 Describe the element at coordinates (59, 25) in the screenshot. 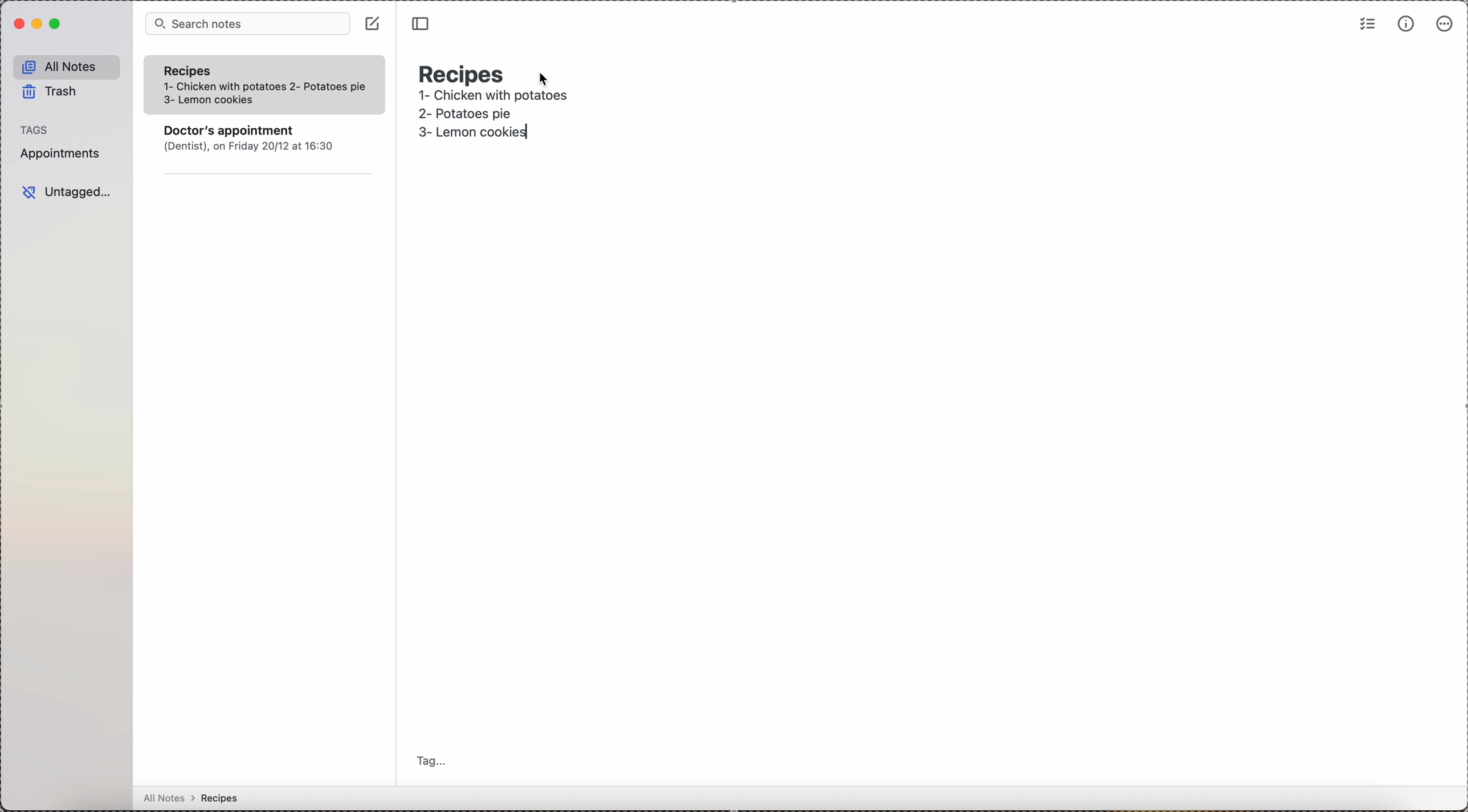

I see `maximize` at that location.